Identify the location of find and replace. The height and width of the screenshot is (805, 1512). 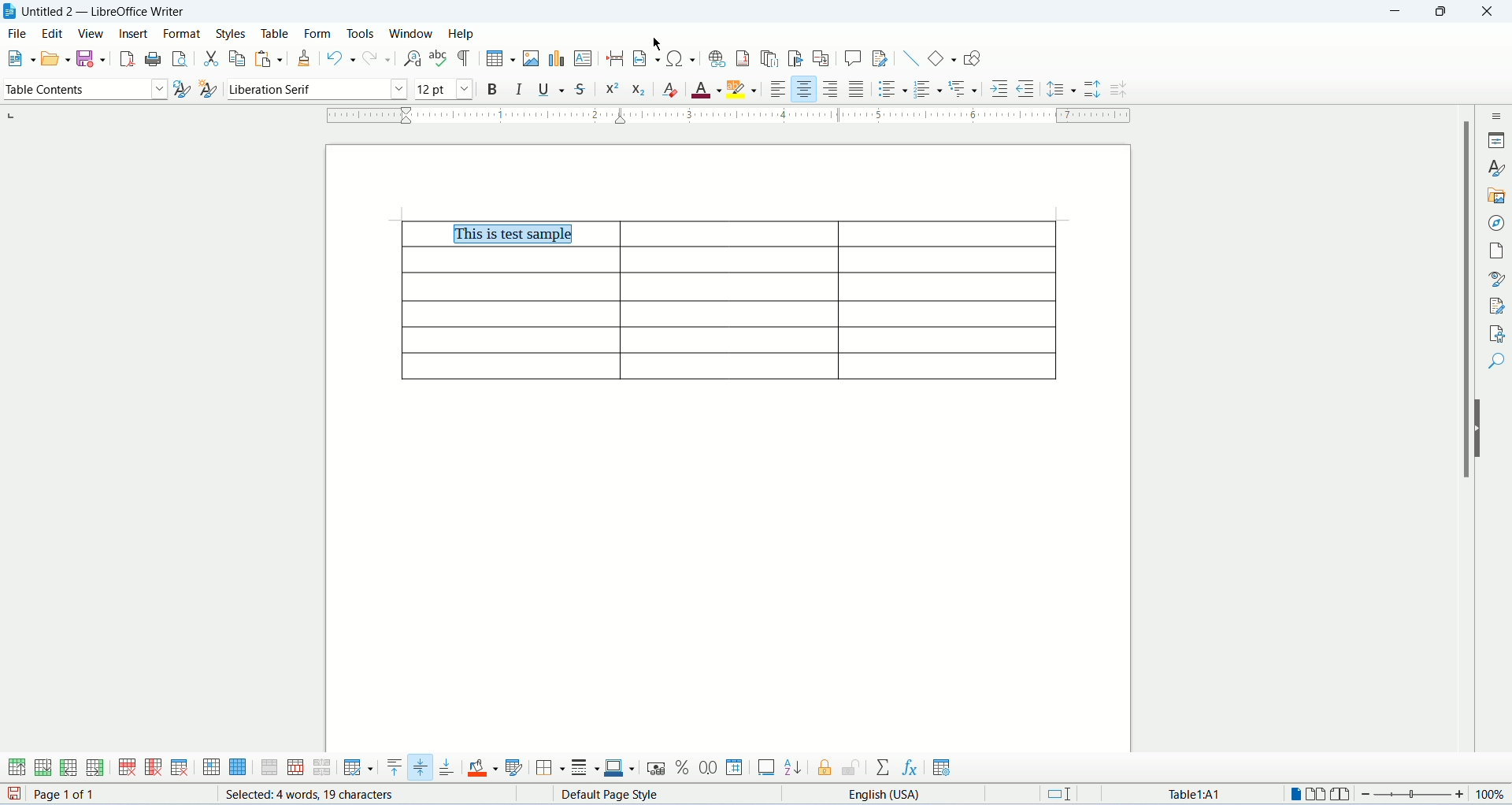
(413, 58).